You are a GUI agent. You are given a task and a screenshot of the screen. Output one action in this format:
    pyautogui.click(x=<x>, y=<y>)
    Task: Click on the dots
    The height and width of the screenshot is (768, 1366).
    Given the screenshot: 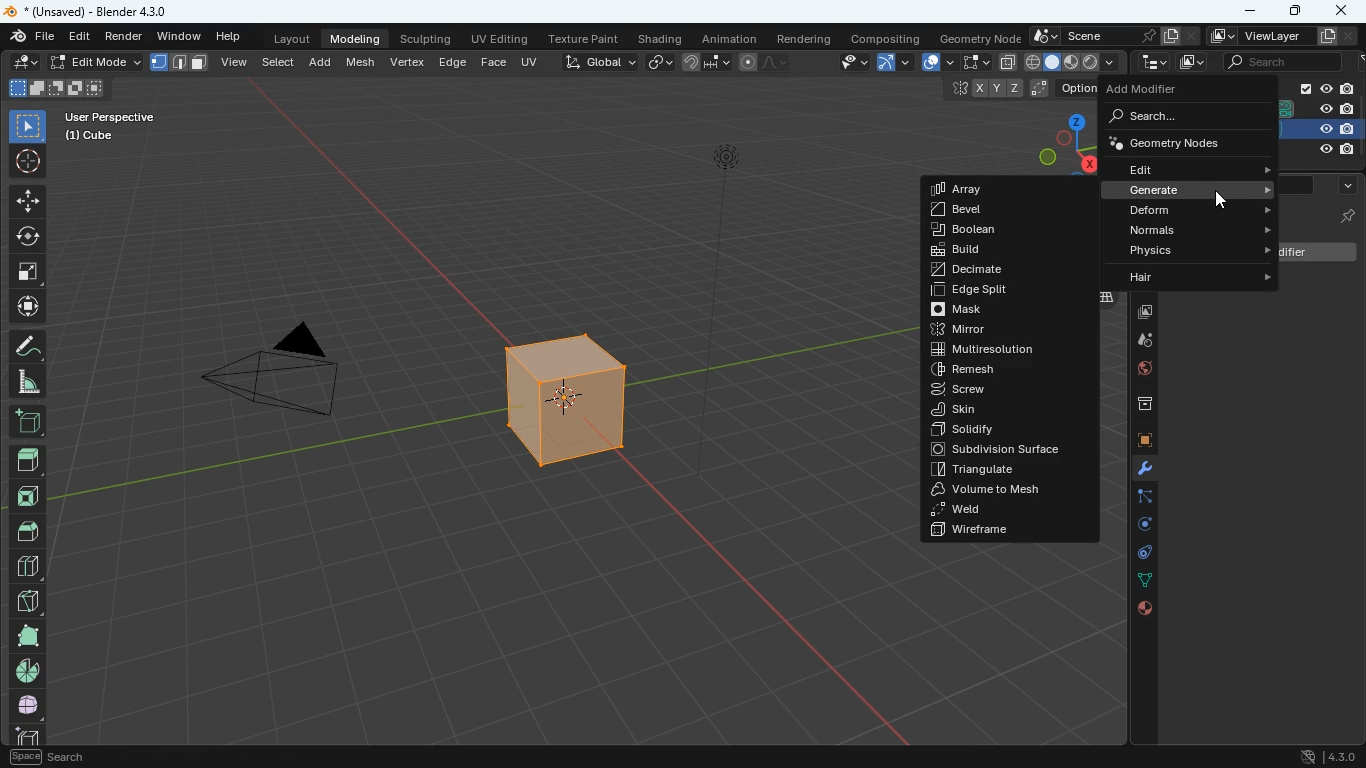 What is the action you would take?
    pyautogui.click(x=1140, y=581)
    